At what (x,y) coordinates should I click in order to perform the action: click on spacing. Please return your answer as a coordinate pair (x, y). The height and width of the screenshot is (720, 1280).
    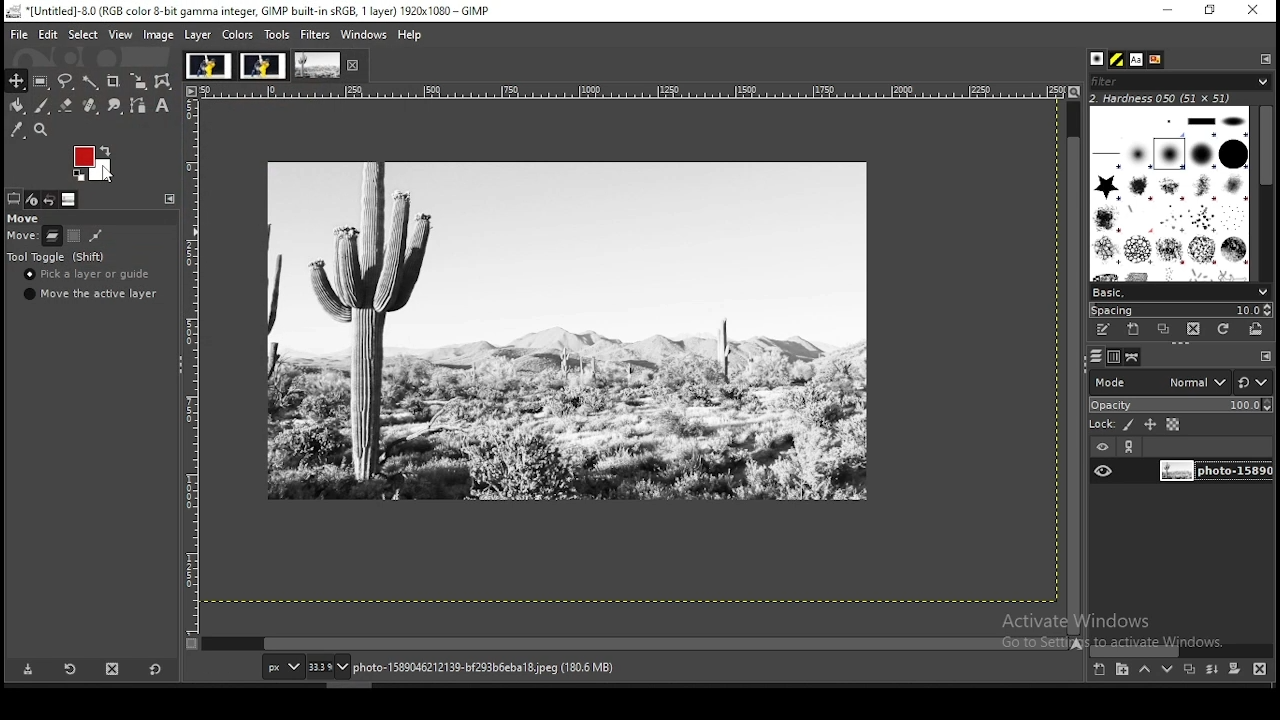
    Looking at the image, I should click on (1180, 310).